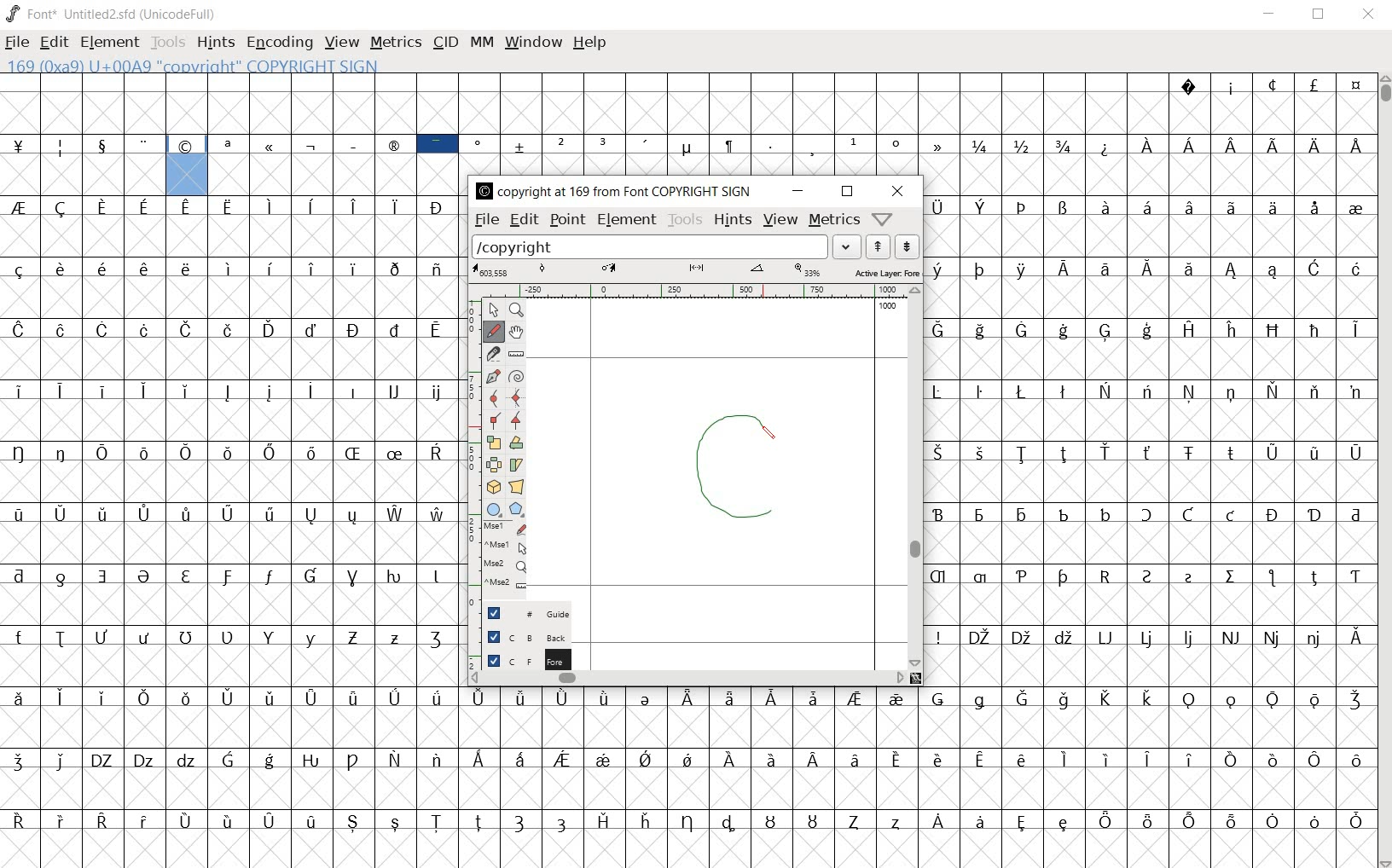  What do you see at coordinates (113, 14) in the screenshot?
I see `Font* Untitled2.sfd (UnicodeFull)` at bounding box center [113, 14].